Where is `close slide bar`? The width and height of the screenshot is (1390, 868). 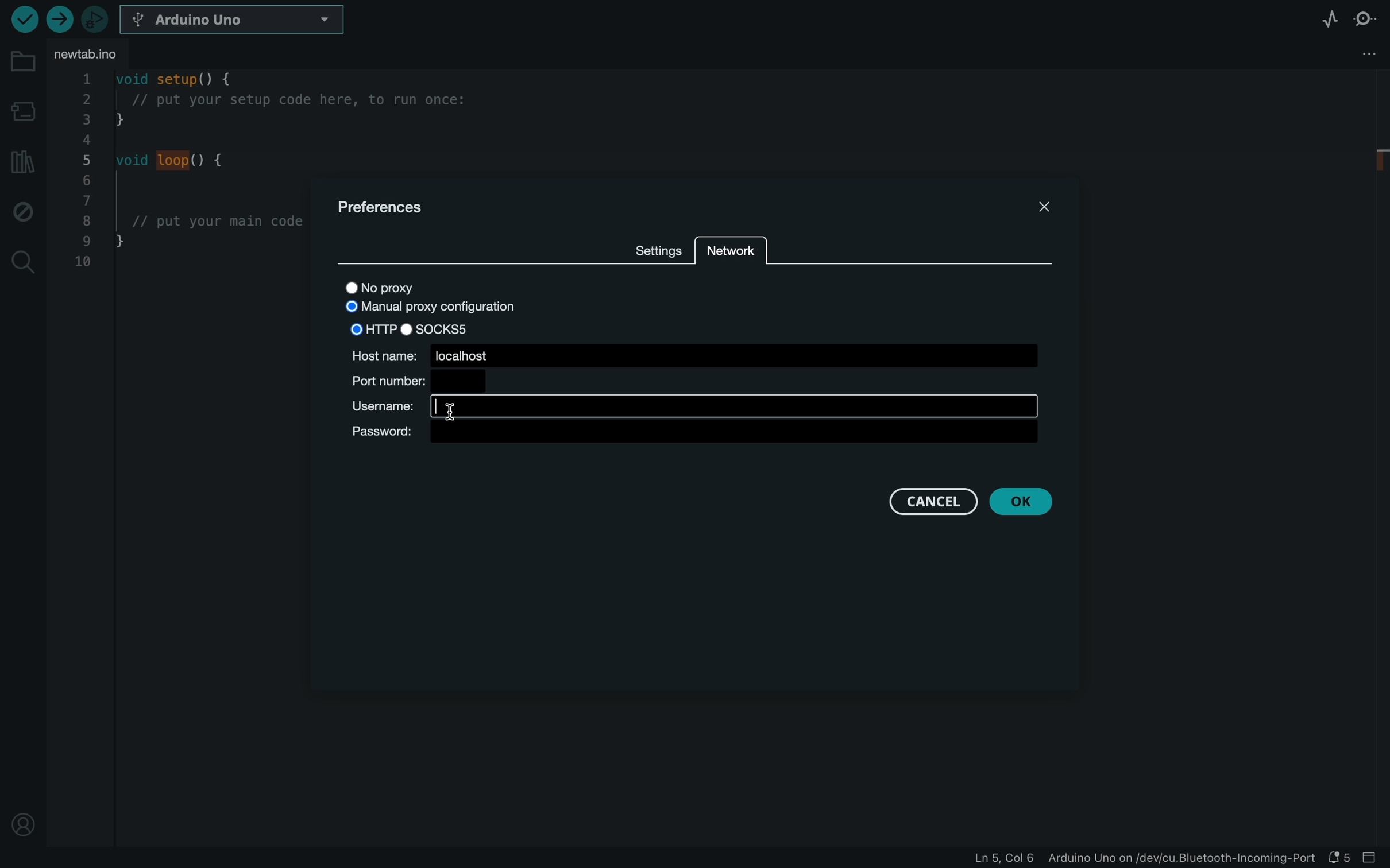
close slide bar is located at coordinates (1374, 857).